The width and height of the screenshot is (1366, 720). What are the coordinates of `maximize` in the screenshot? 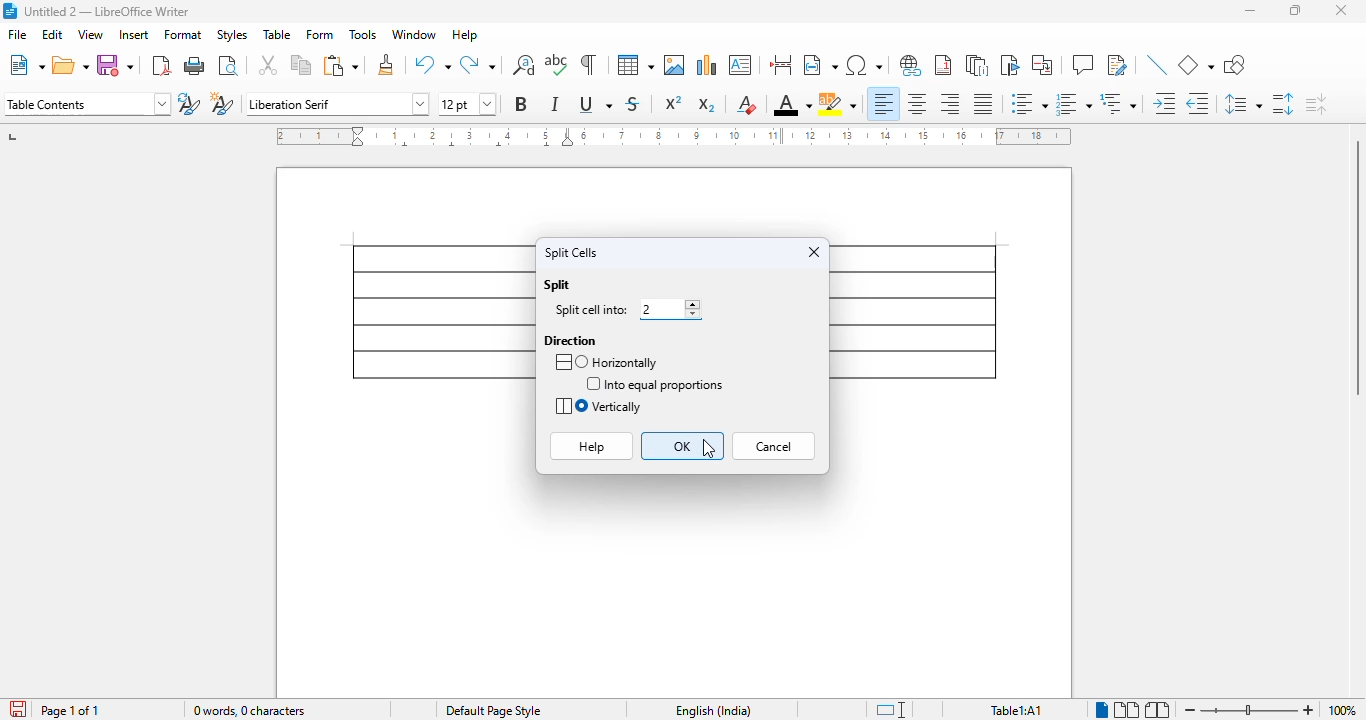 It's located at (1296, 11).